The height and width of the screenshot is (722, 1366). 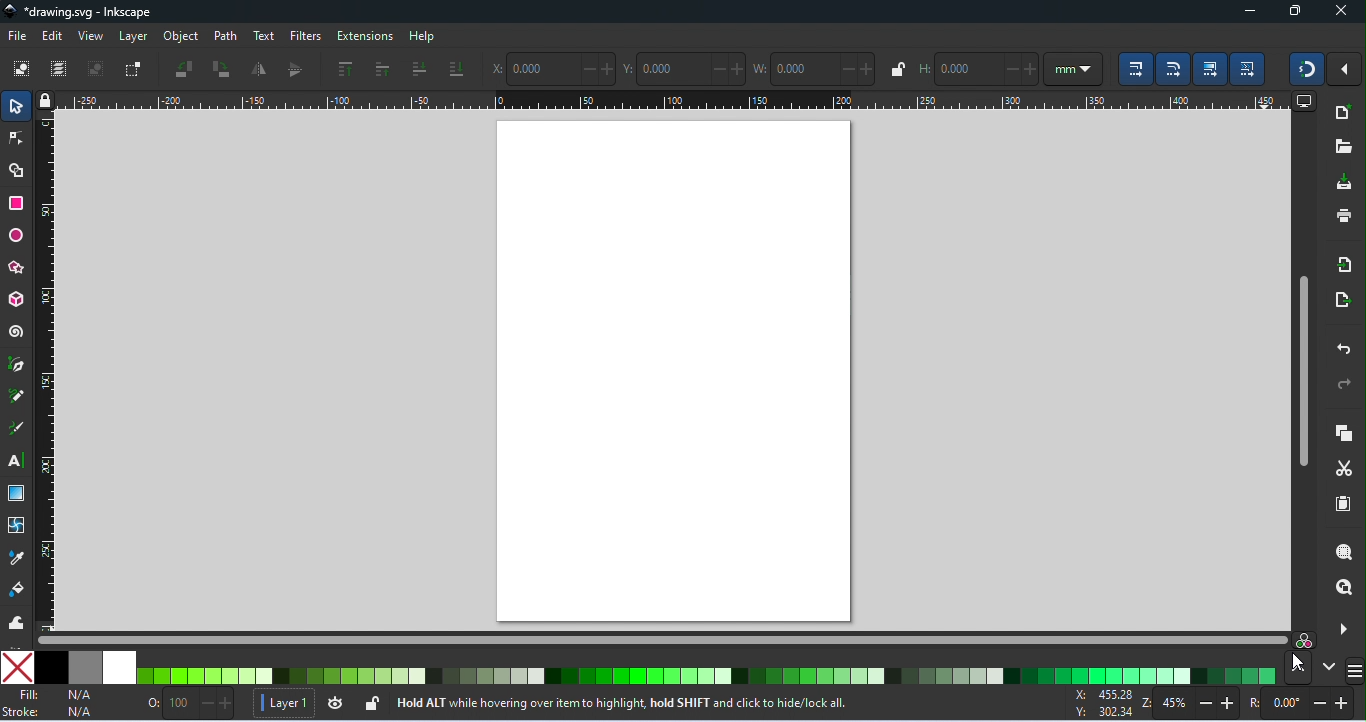 I want to click on select all, so click(x=23, y=69).